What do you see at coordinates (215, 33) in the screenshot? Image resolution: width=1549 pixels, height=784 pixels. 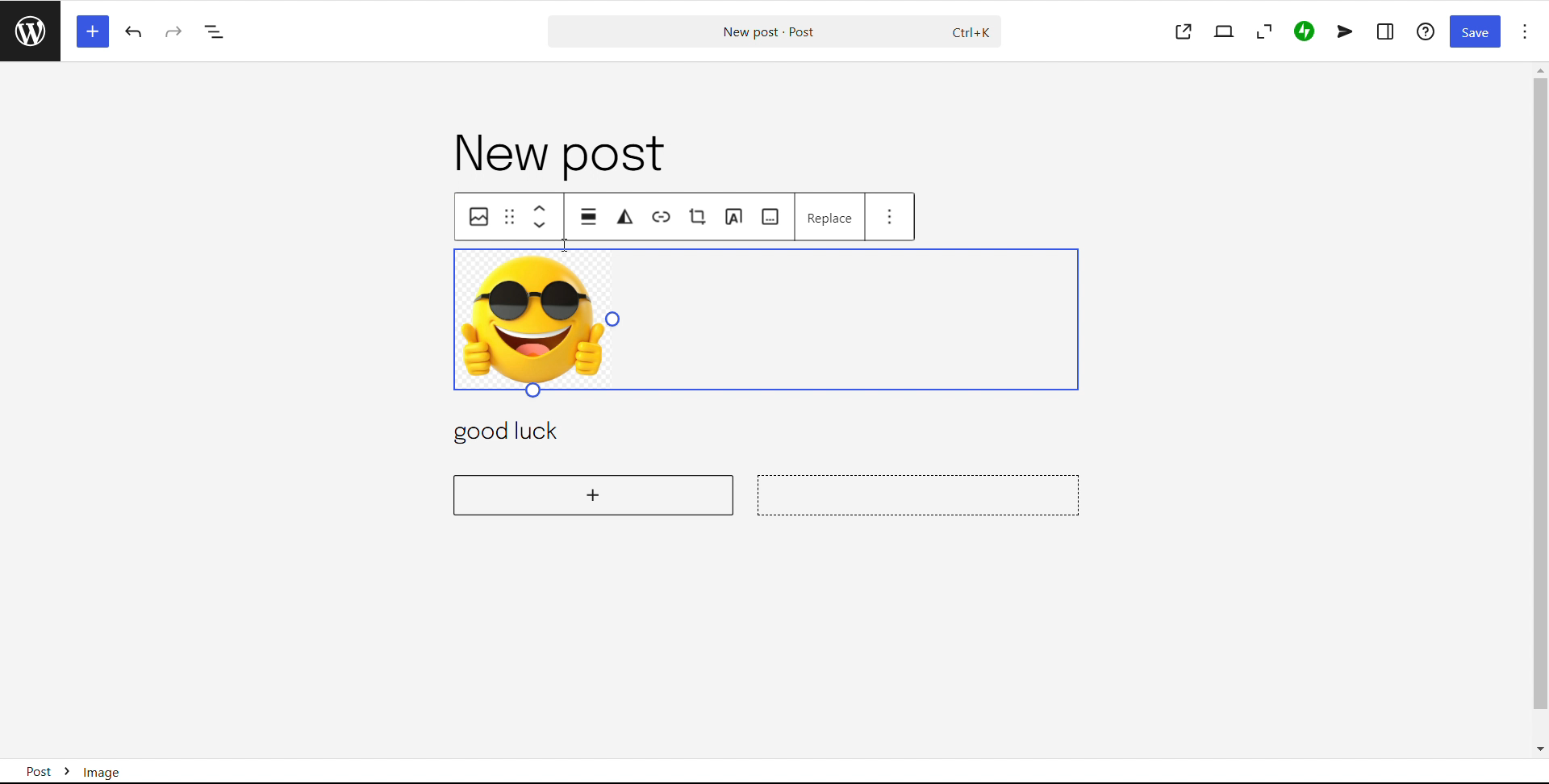 I see `document overview` at bounding box center [215, 33].